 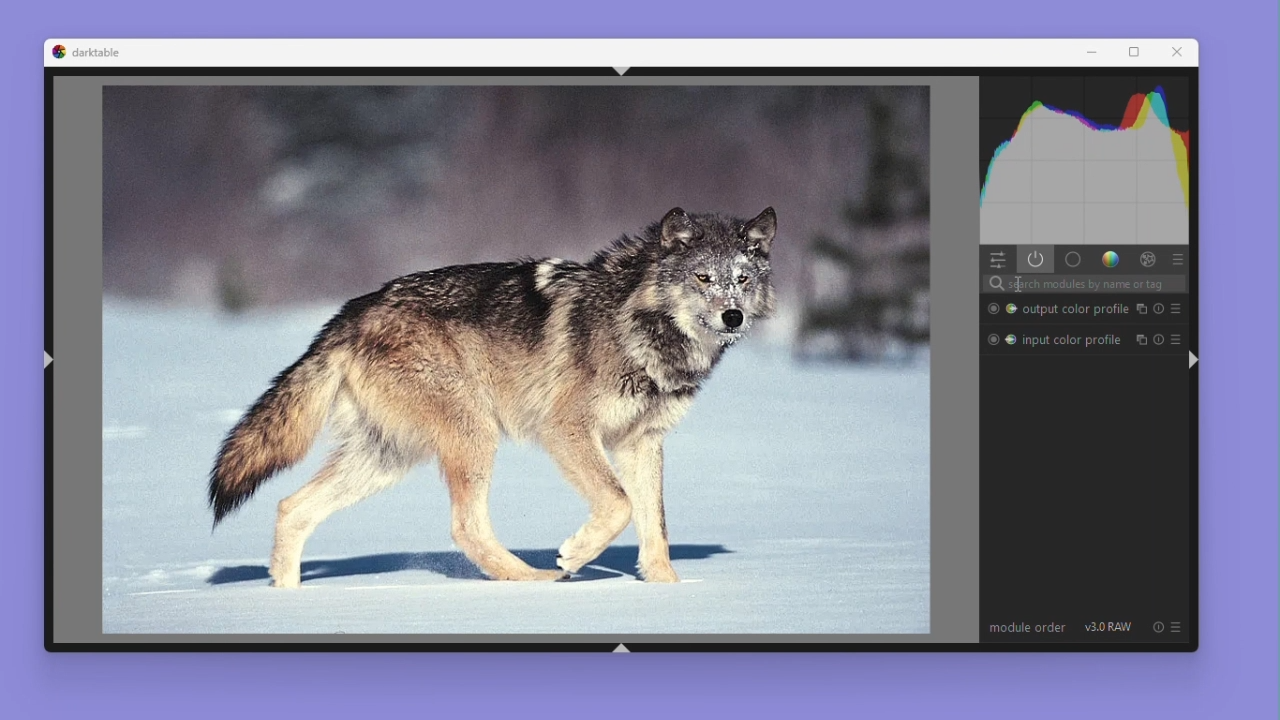 I want to click on Reset, so click(x=1159, y=336).